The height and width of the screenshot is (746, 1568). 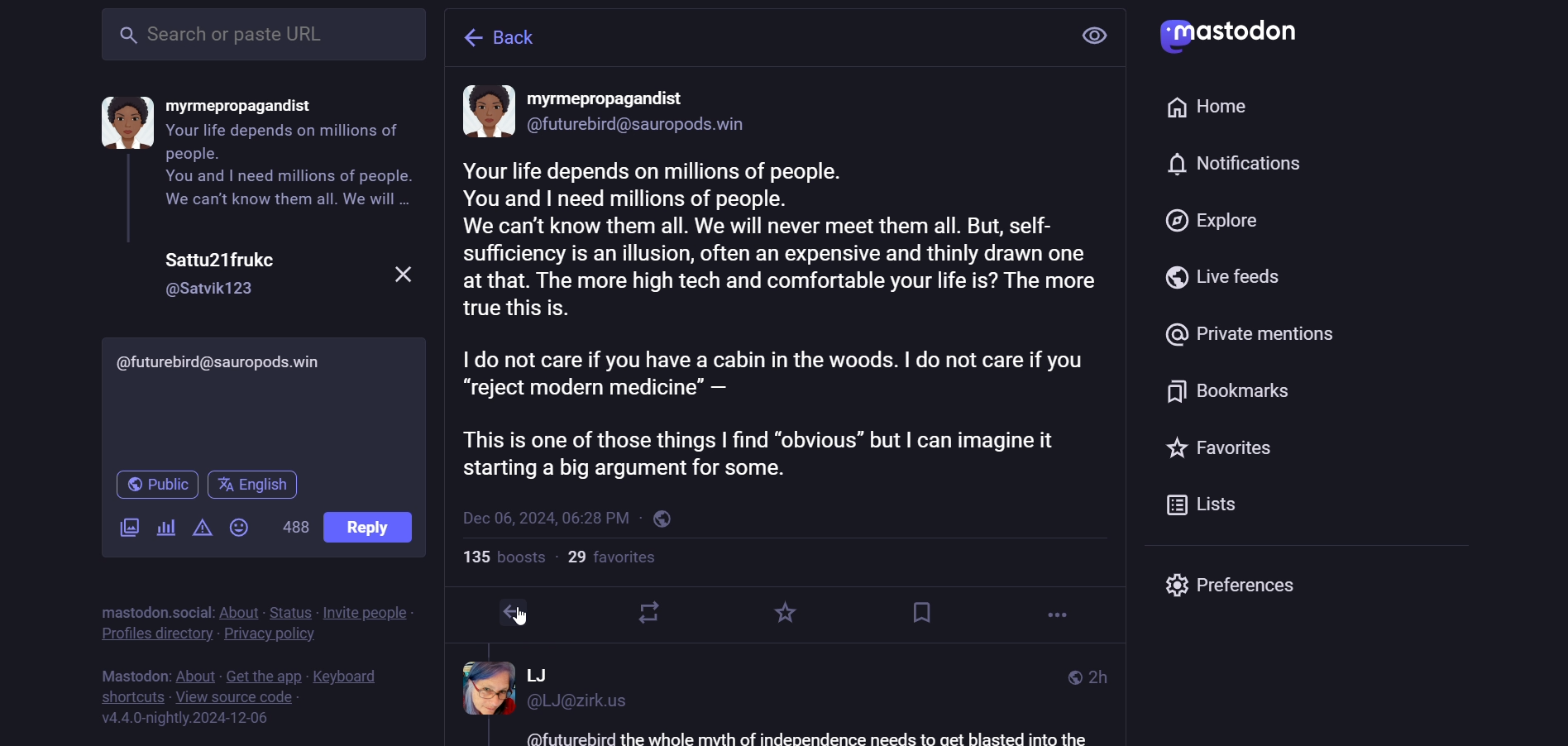 What do you see at coordinates (525, 619) in the screenshot?
I see `cursor` at bounding box center [525, 619].